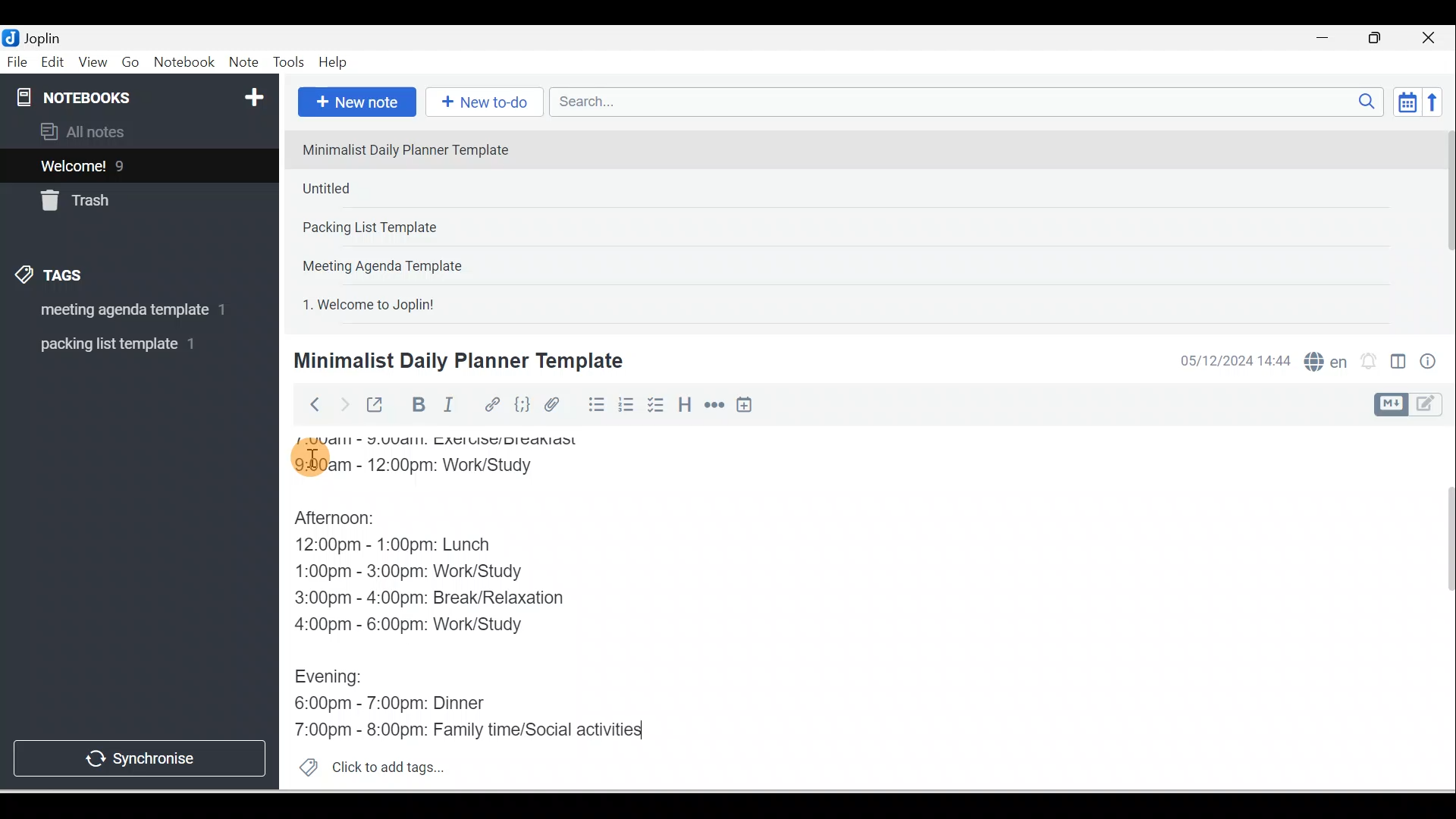 This screenshot has width=1456, height=819. Describe the element at coordinates (744, 406) in the screenshot. I see `Insert time` at that location.